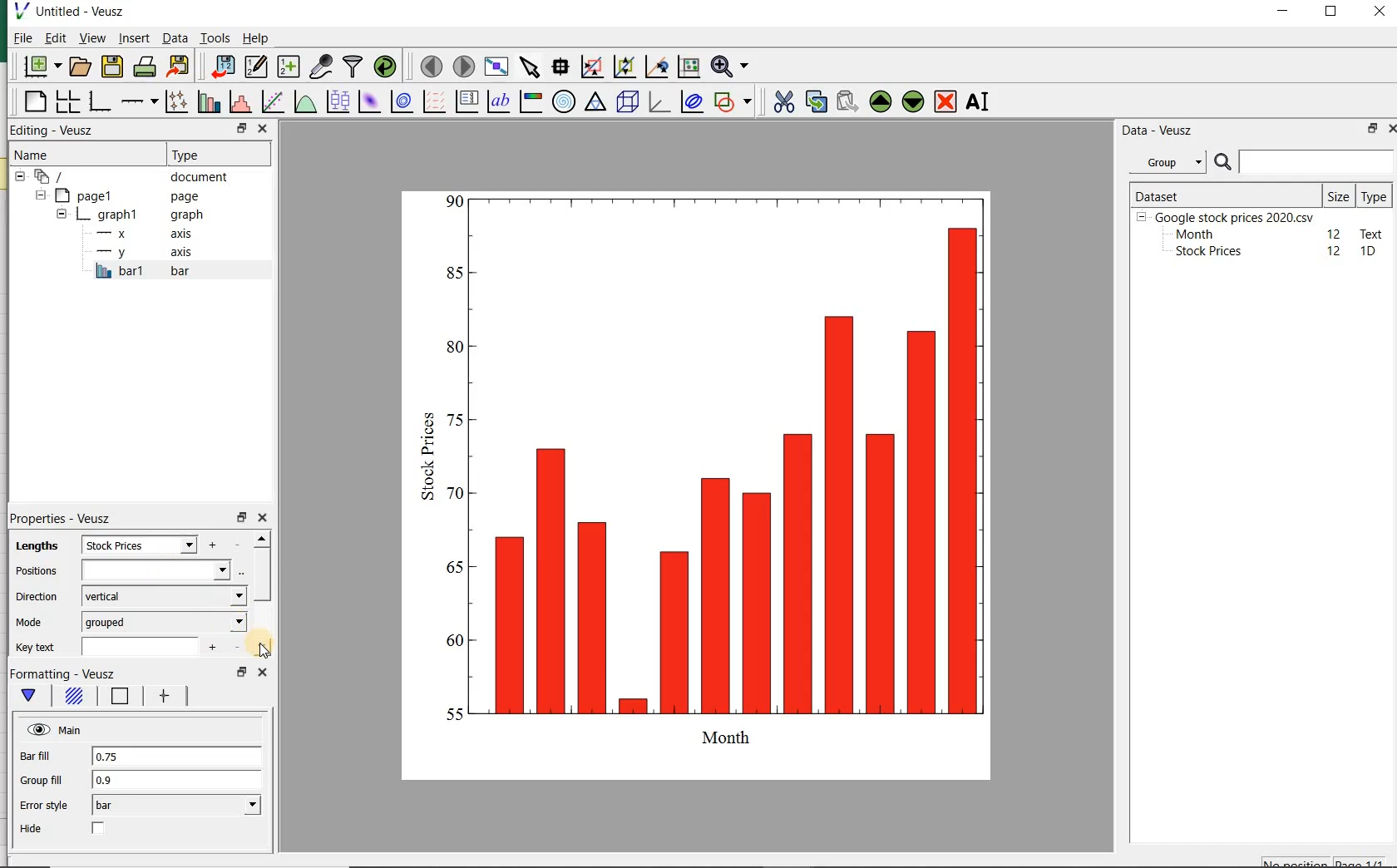 Image resolution: width=1397 pixels, height=868 pixels. Describe the element at coordinates (708, 481) in the screenshot. I see `bar graph` at that location.